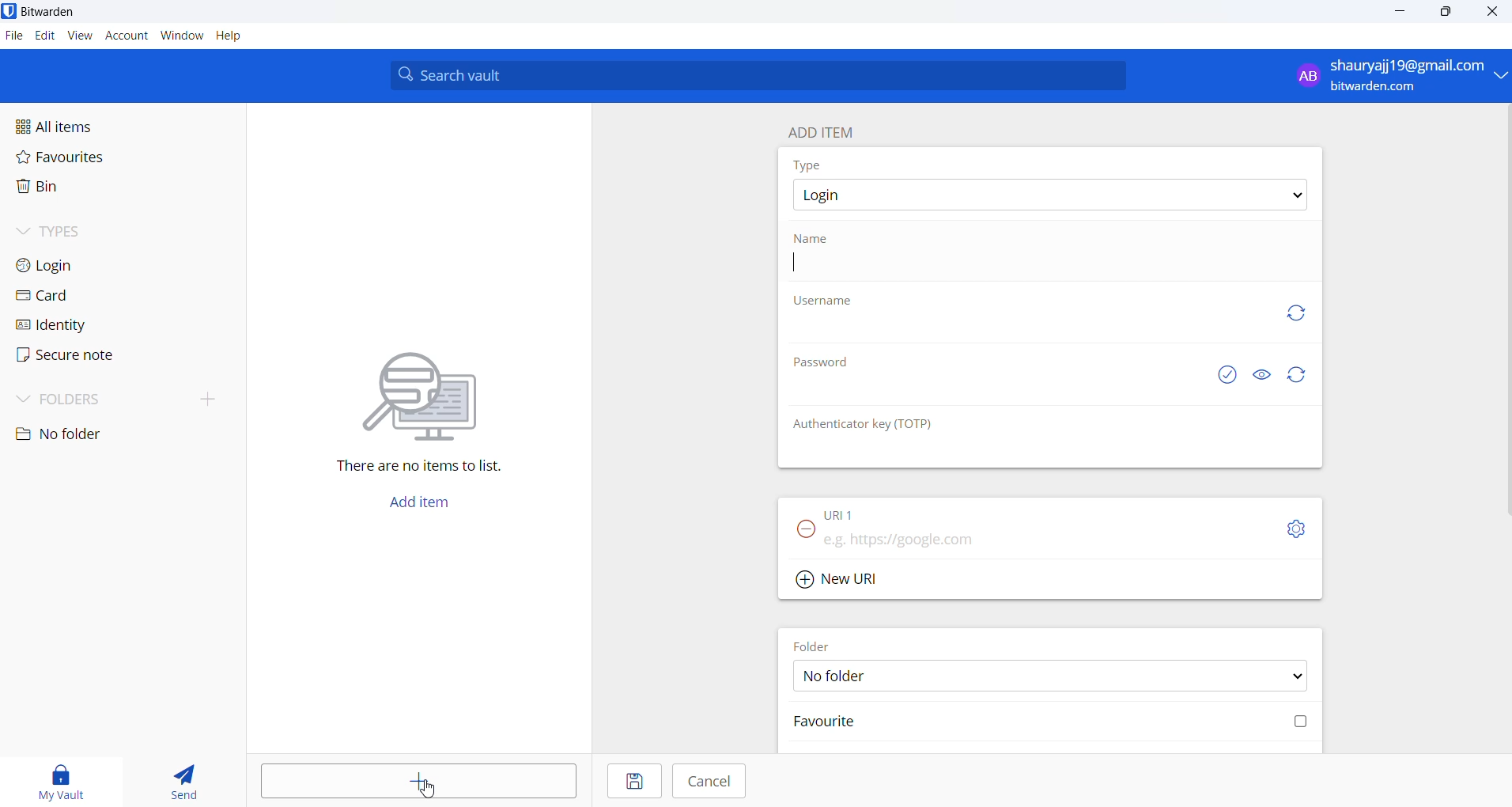  I want to click on FOLDER OPTIONS, so click(1057, 675).